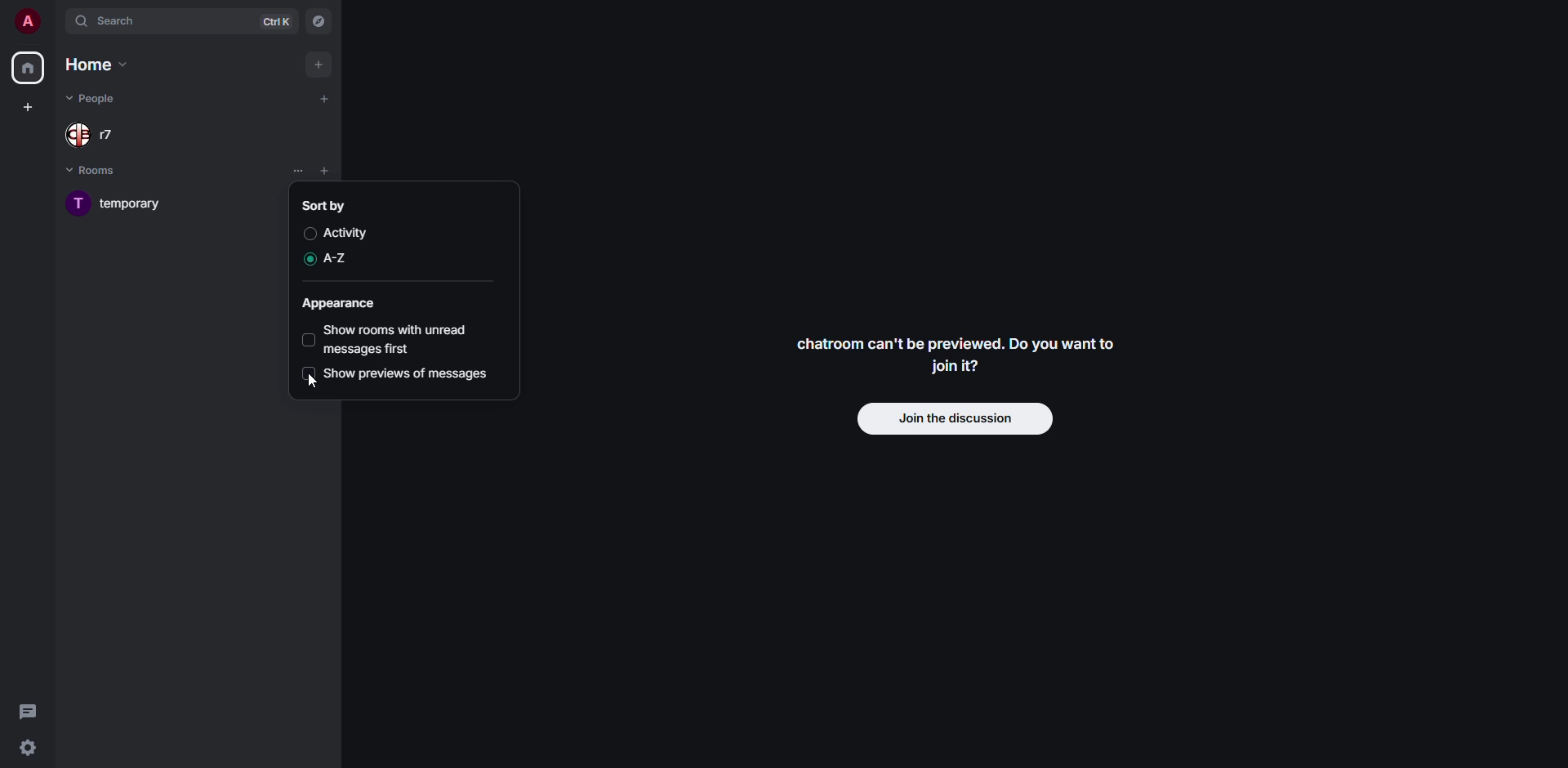 The width and height of the screenshot is (1568, 768). Describe the element at coordinates (346, 233) in the screenshot. I see `activity` at that location.